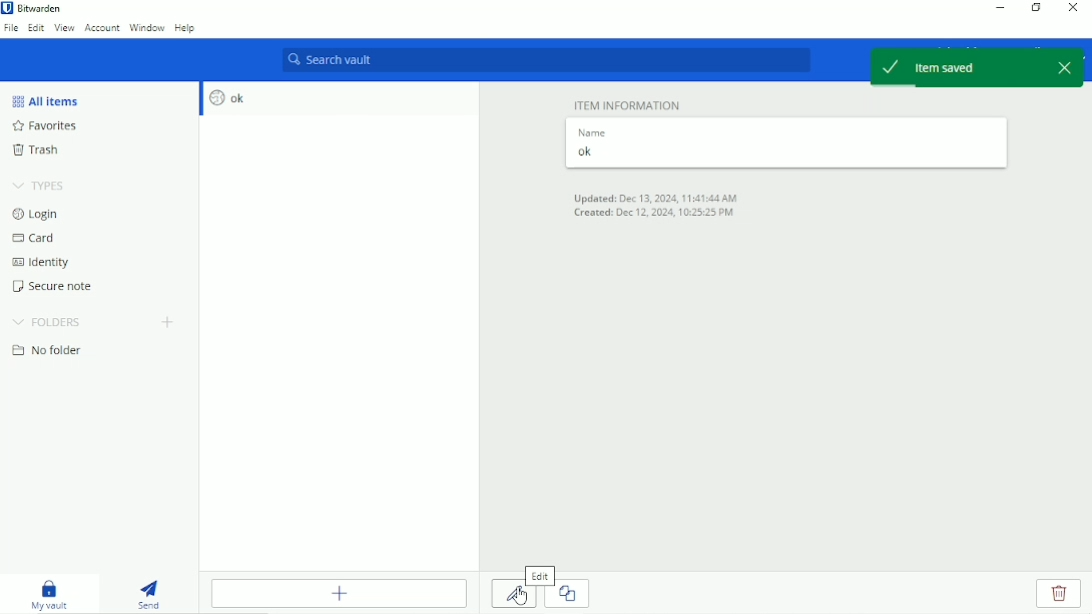  I want to click on Name ok, so click(787, 143).